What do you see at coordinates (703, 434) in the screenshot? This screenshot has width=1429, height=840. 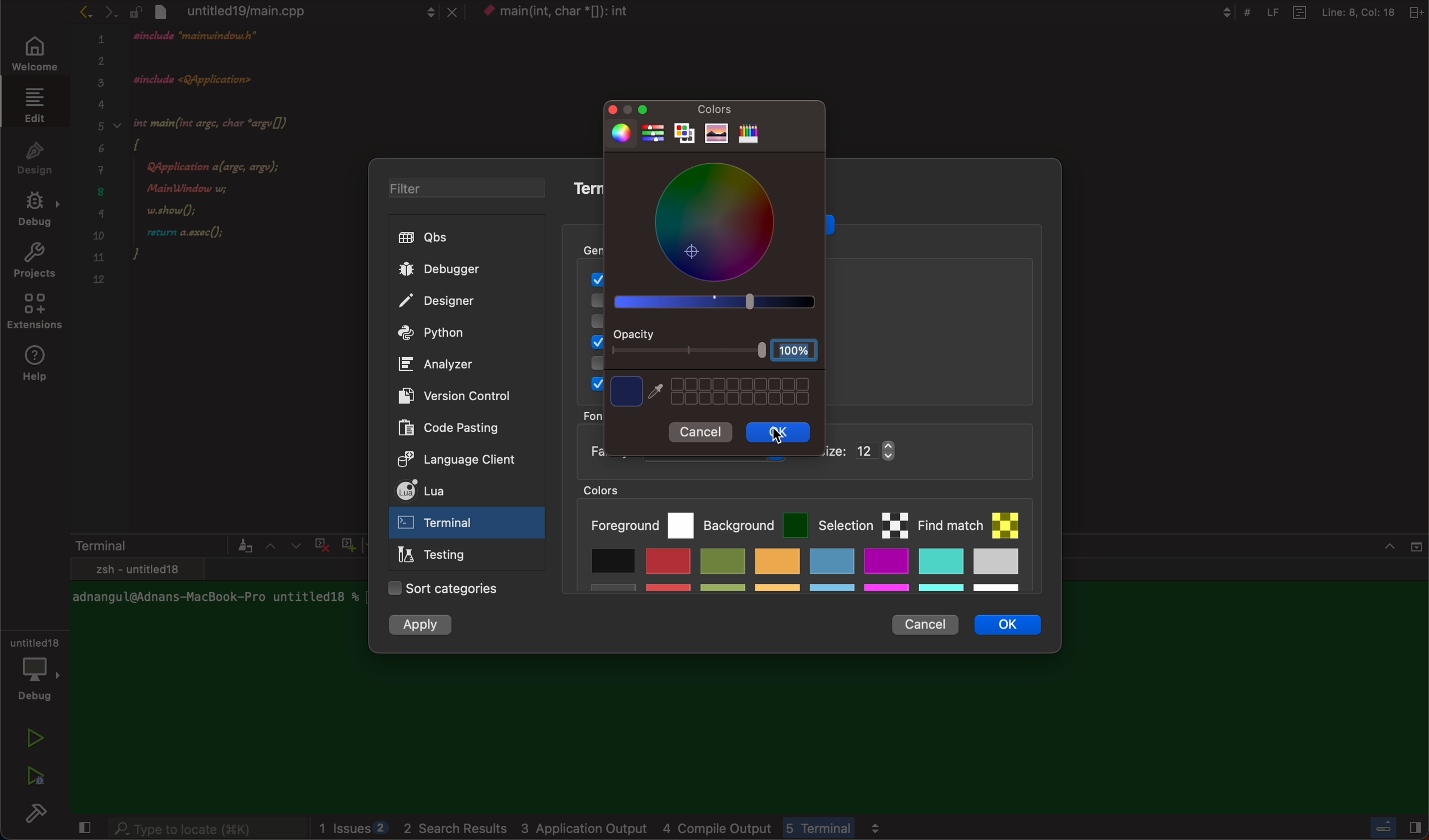 I see `cancel` at bounding box center [703, 434].